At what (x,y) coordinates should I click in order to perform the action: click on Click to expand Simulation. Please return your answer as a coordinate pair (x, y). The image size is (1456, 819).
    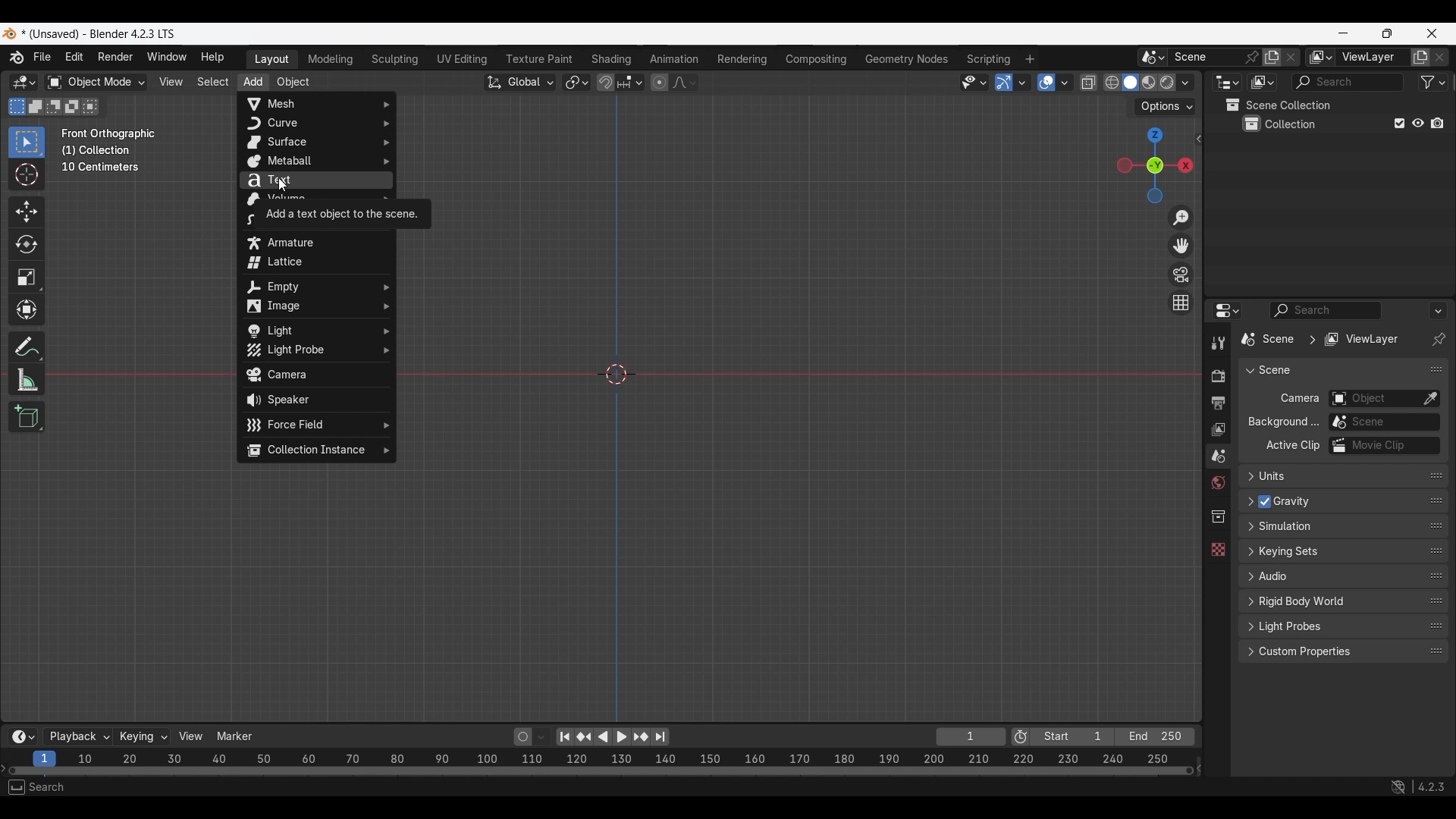
    Looking at the image, I should click on (1332, 526).